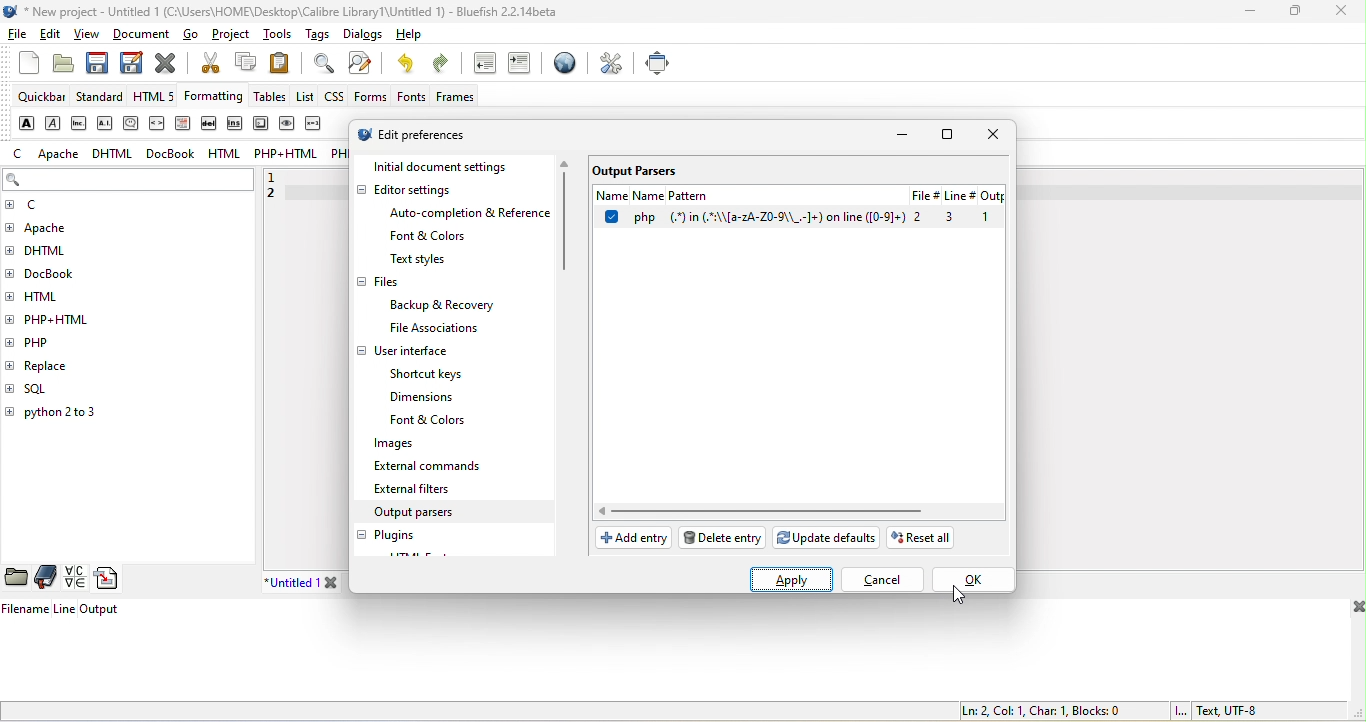  I want to click on cut, so click(208, 65).